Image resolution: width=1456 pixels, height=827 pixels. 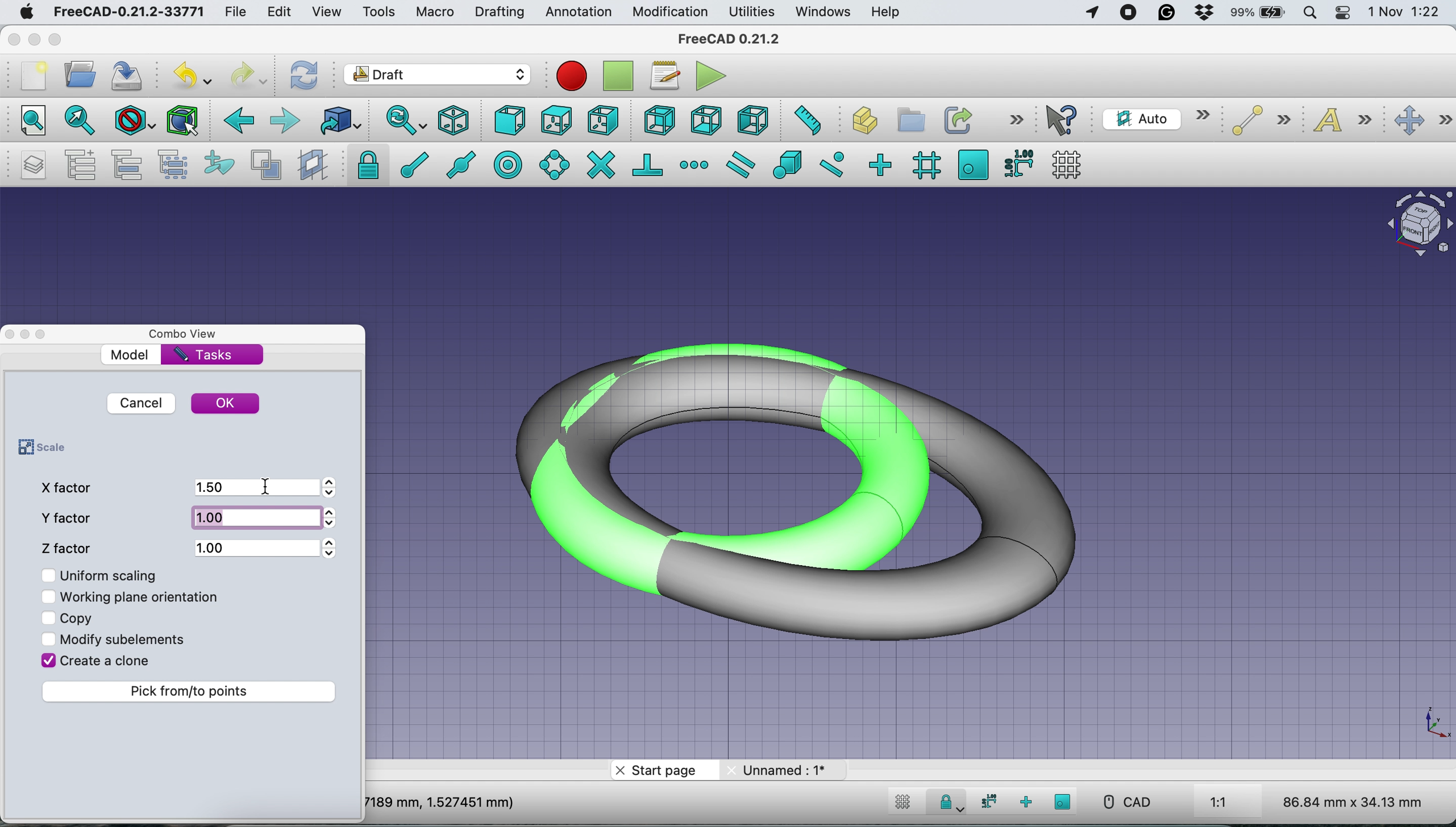 What do you see at coordinates (658, 122) in the screenshot?
I see `rear` at bounding box center [658, 122].